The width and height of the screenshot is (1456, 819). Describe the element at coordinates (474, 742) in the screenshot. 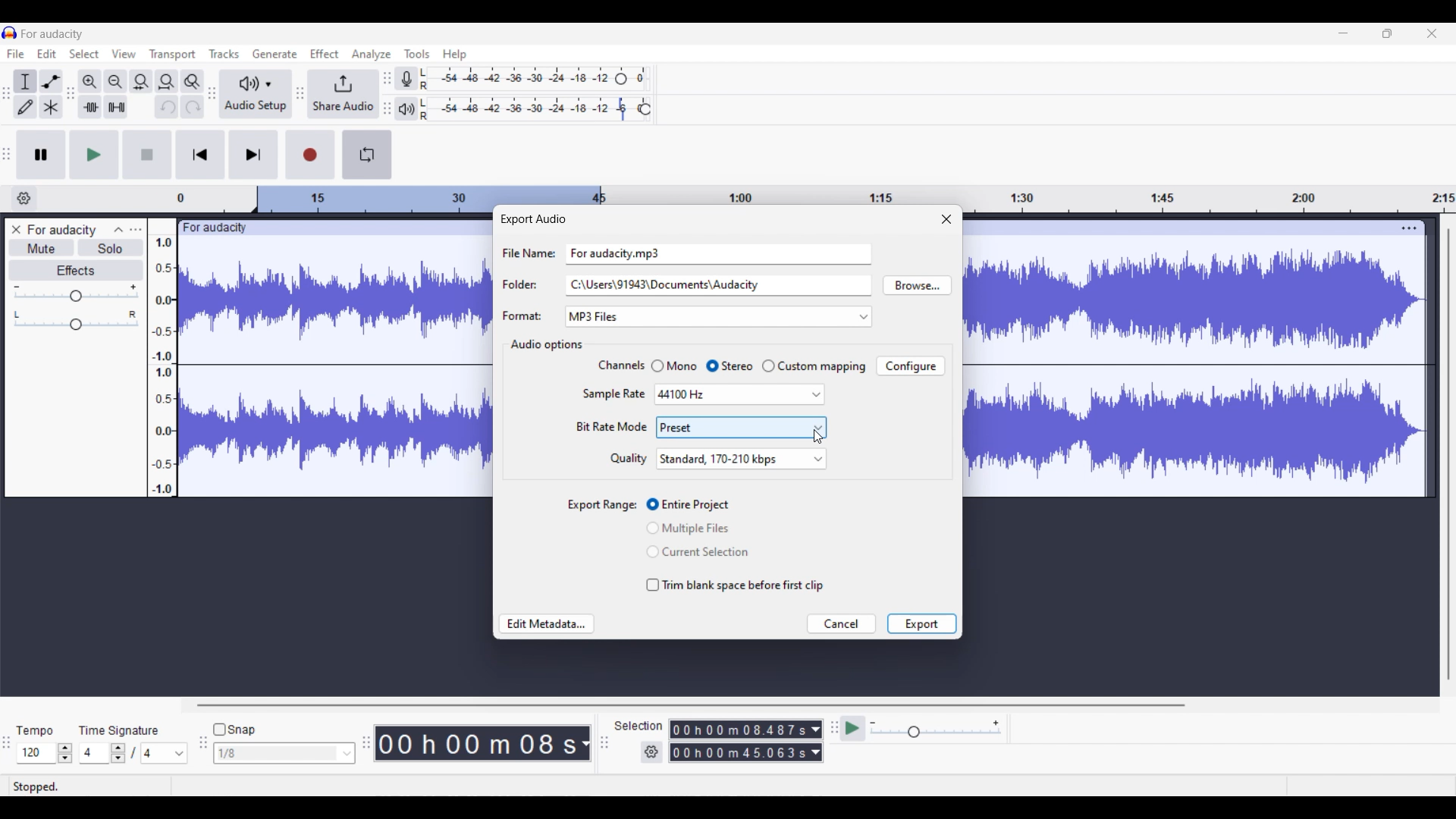

I see `Current timestamp of track` at that location.